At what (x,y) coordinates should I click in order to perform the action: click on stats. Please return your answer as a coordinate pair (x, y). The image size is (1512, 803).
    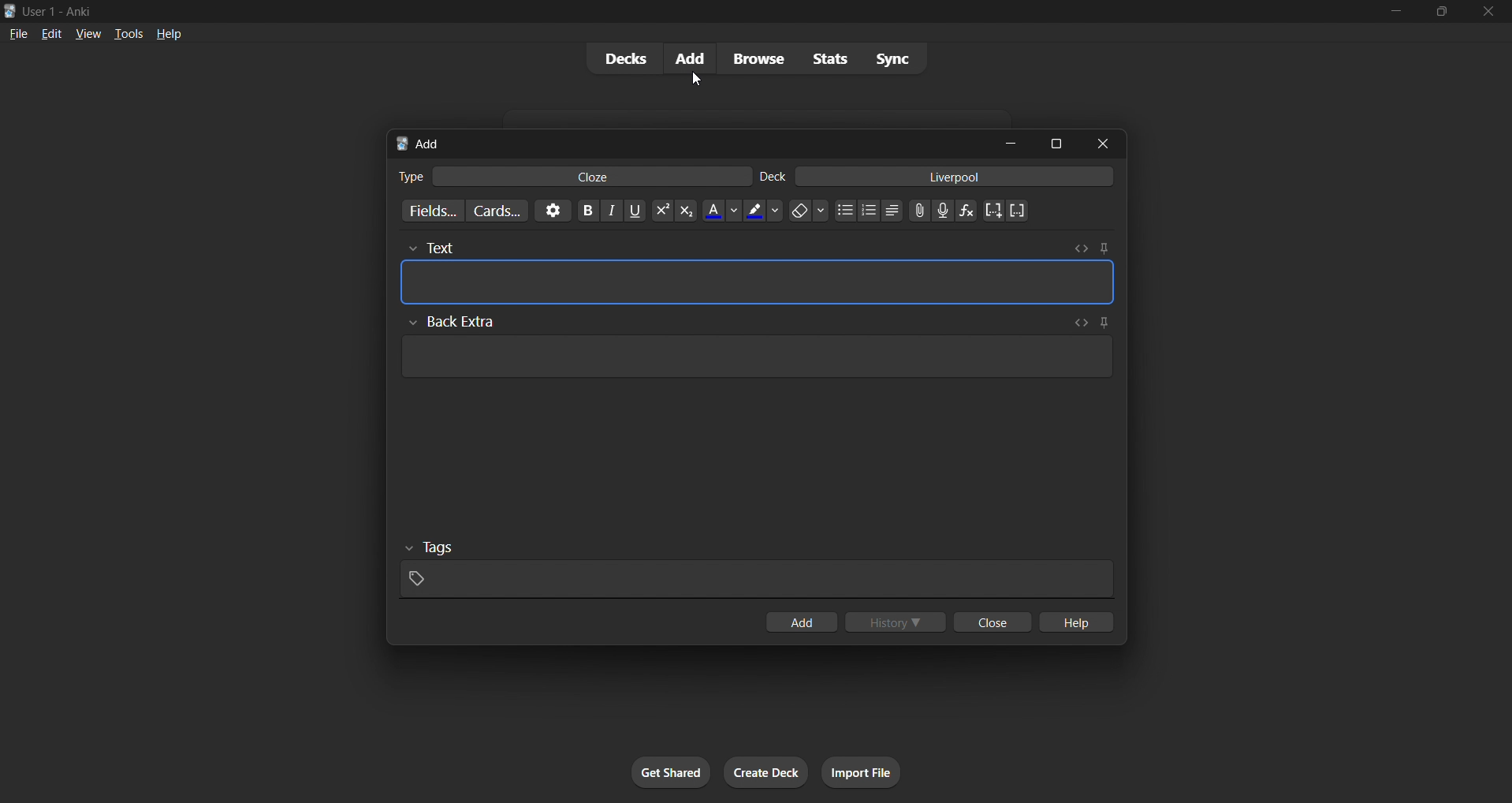
    Looking at the image, I should click on (829, 60).